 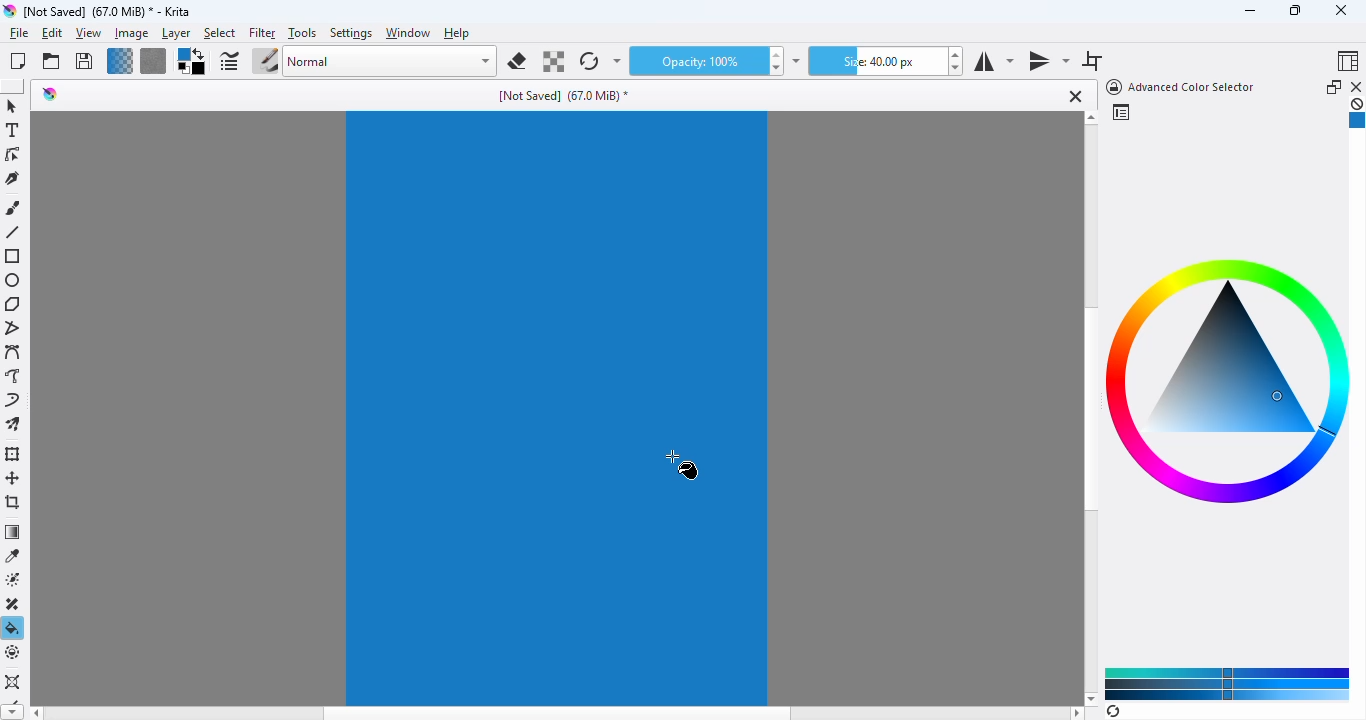 I want to click on size, so click(x=875, y=61).